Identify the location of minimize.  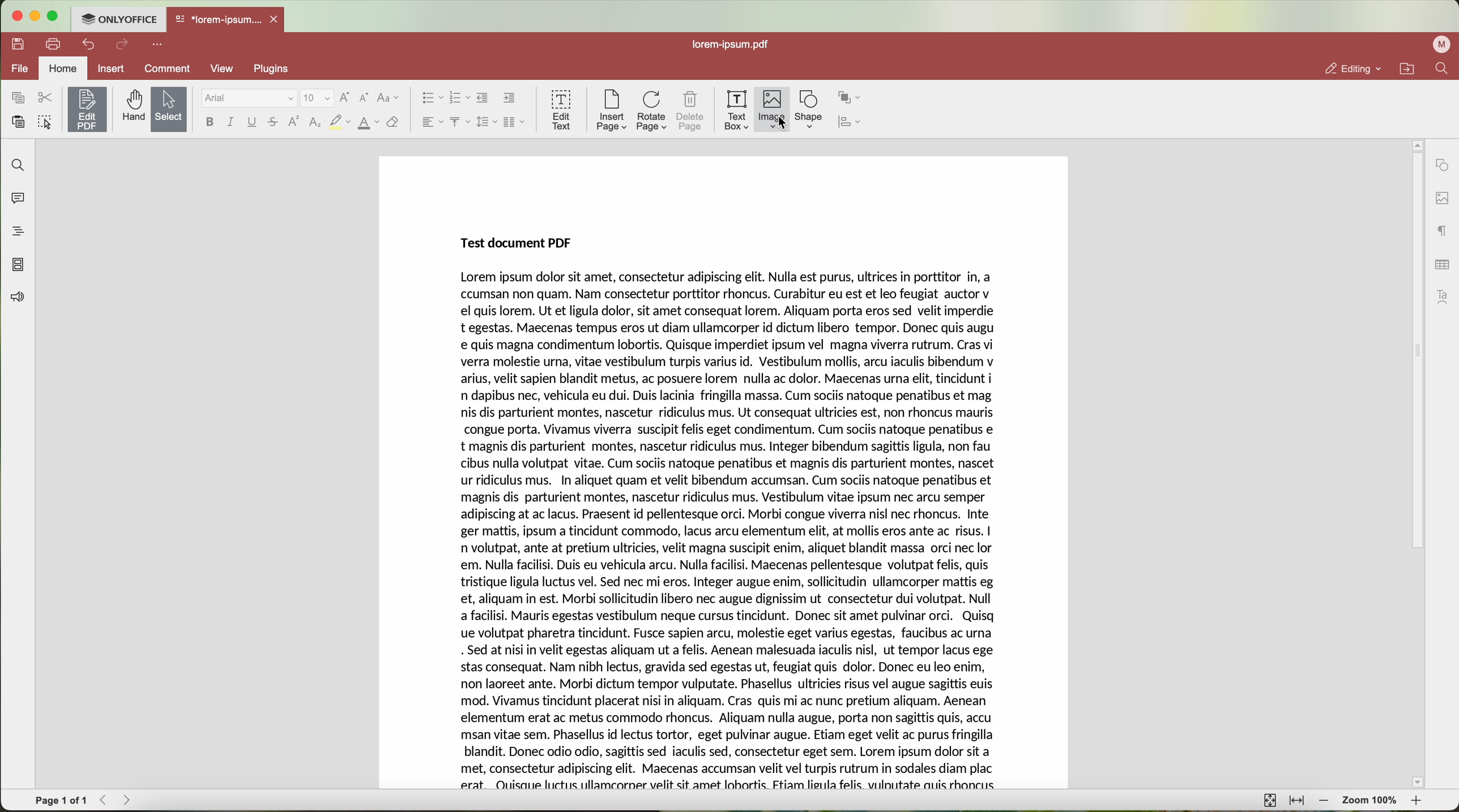
(34, 16).